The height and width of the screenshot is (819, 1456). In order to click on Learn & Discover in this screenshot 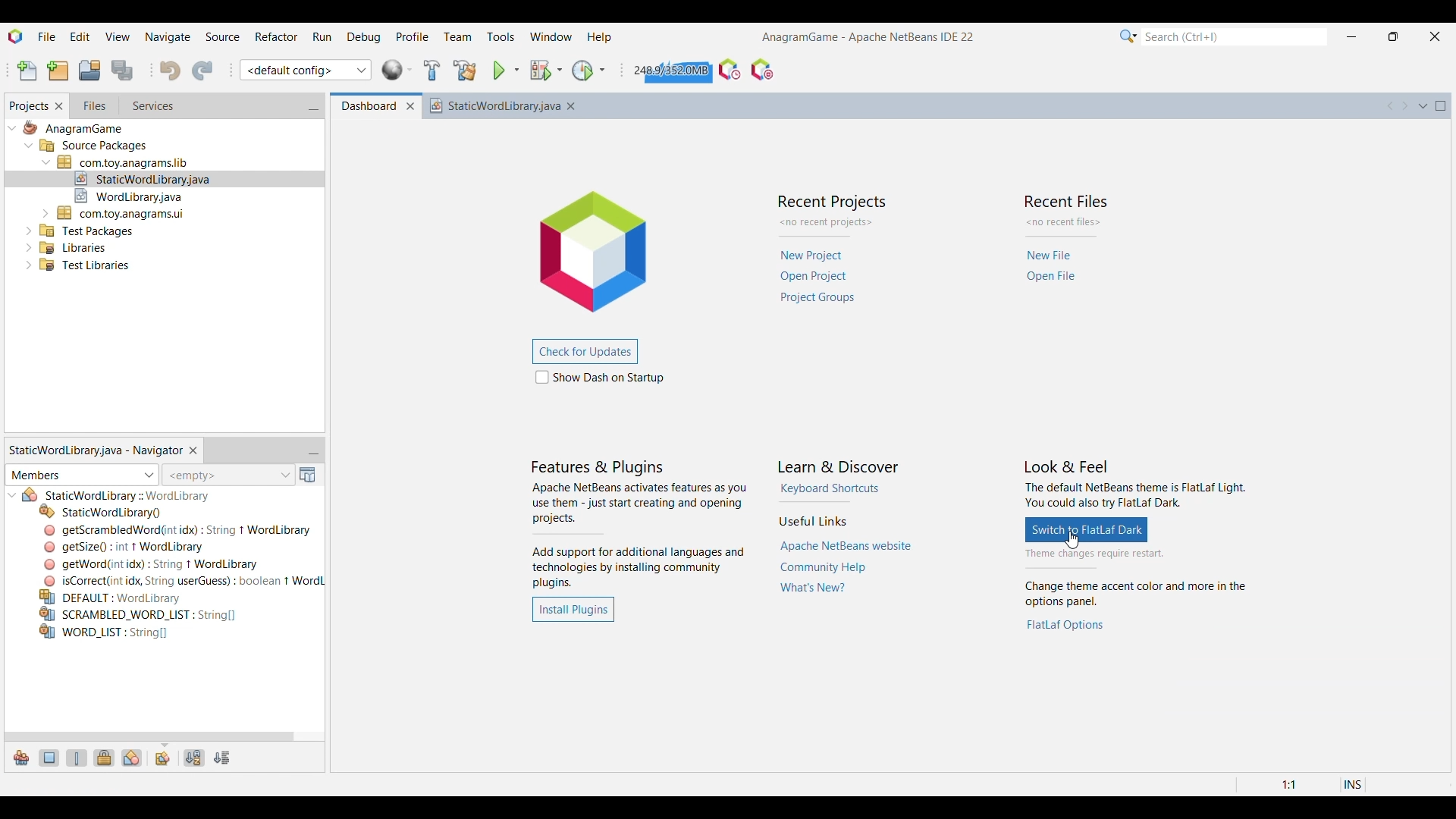, I will do `click(839, 467)`.